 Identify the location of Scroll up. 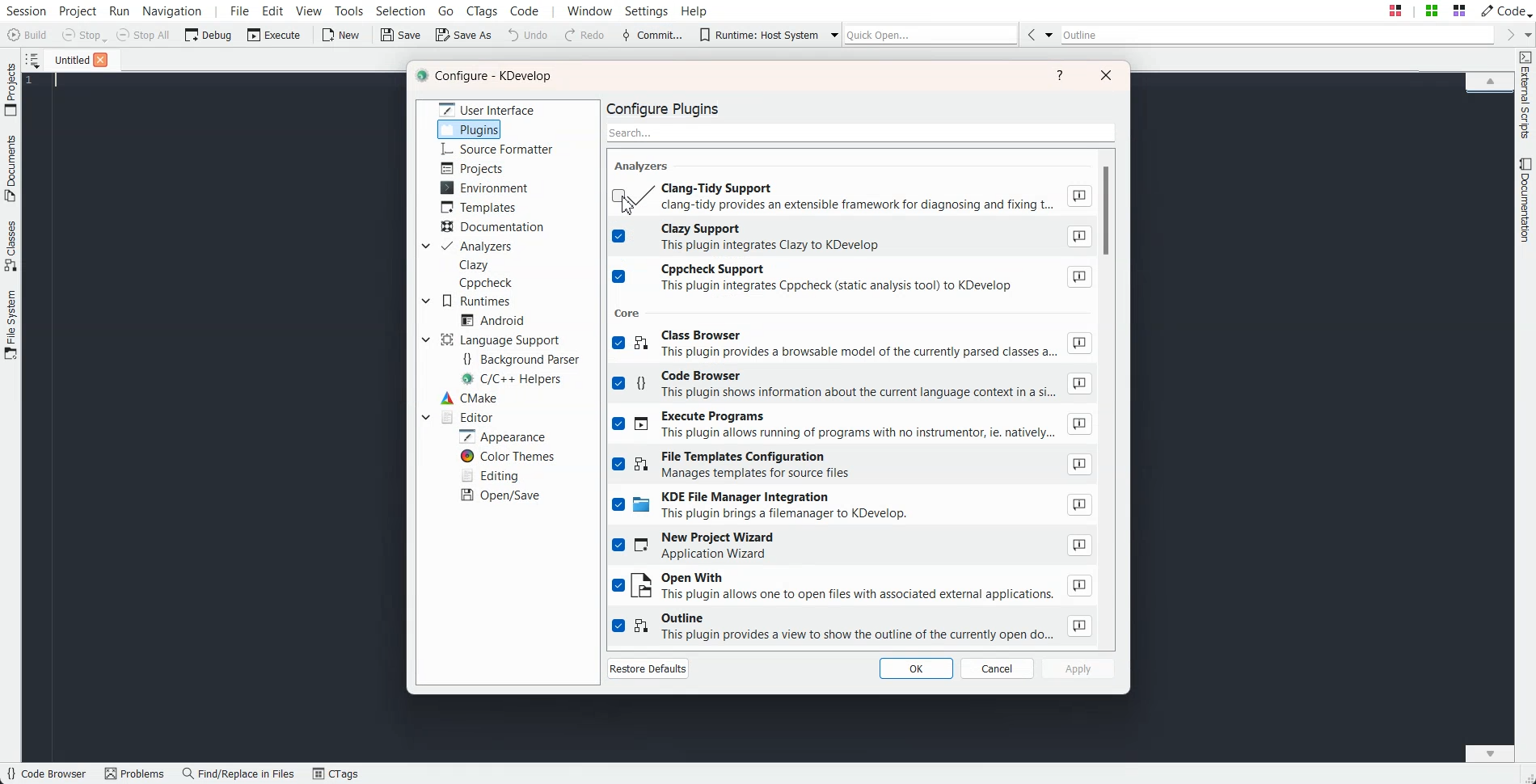
(1490, 80).